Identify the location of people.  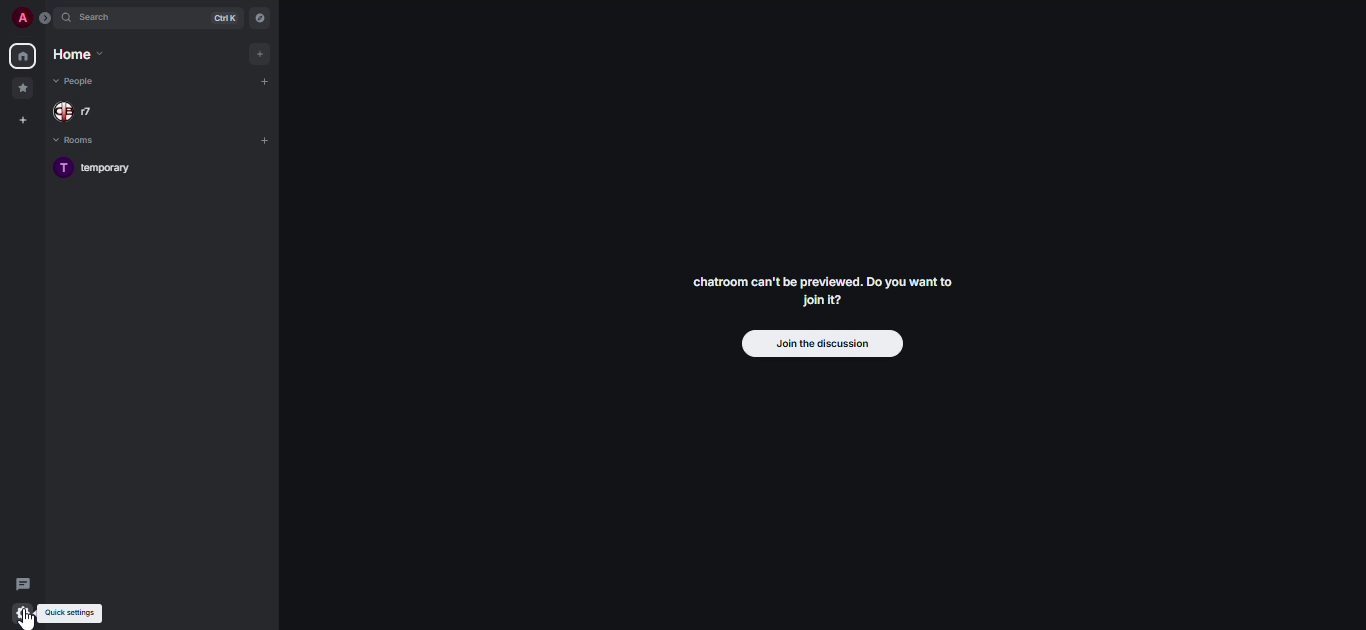
(81, 82).